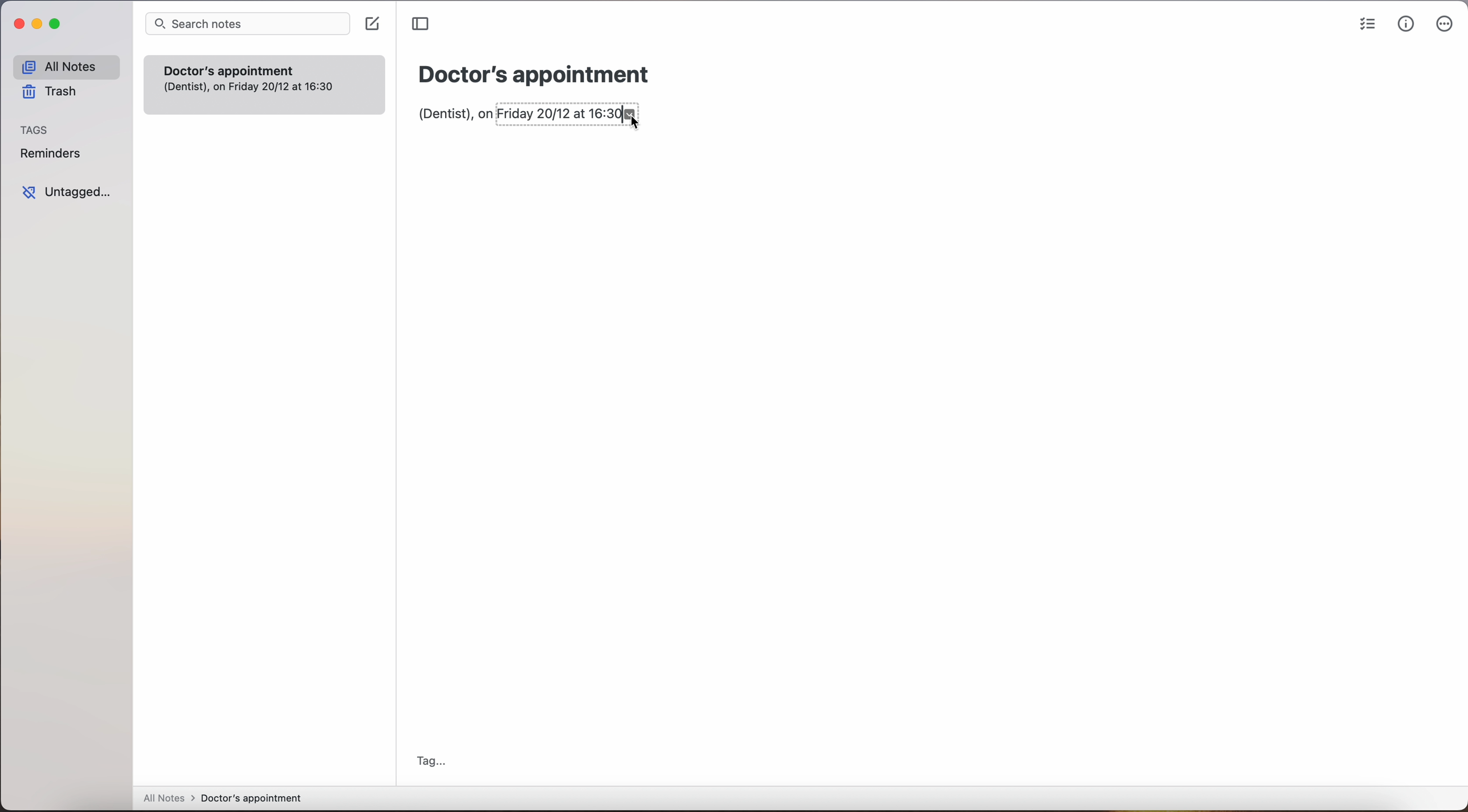  Describe the element at coordinates (38, 26) in the screenshot. I see `minimize` at that location.